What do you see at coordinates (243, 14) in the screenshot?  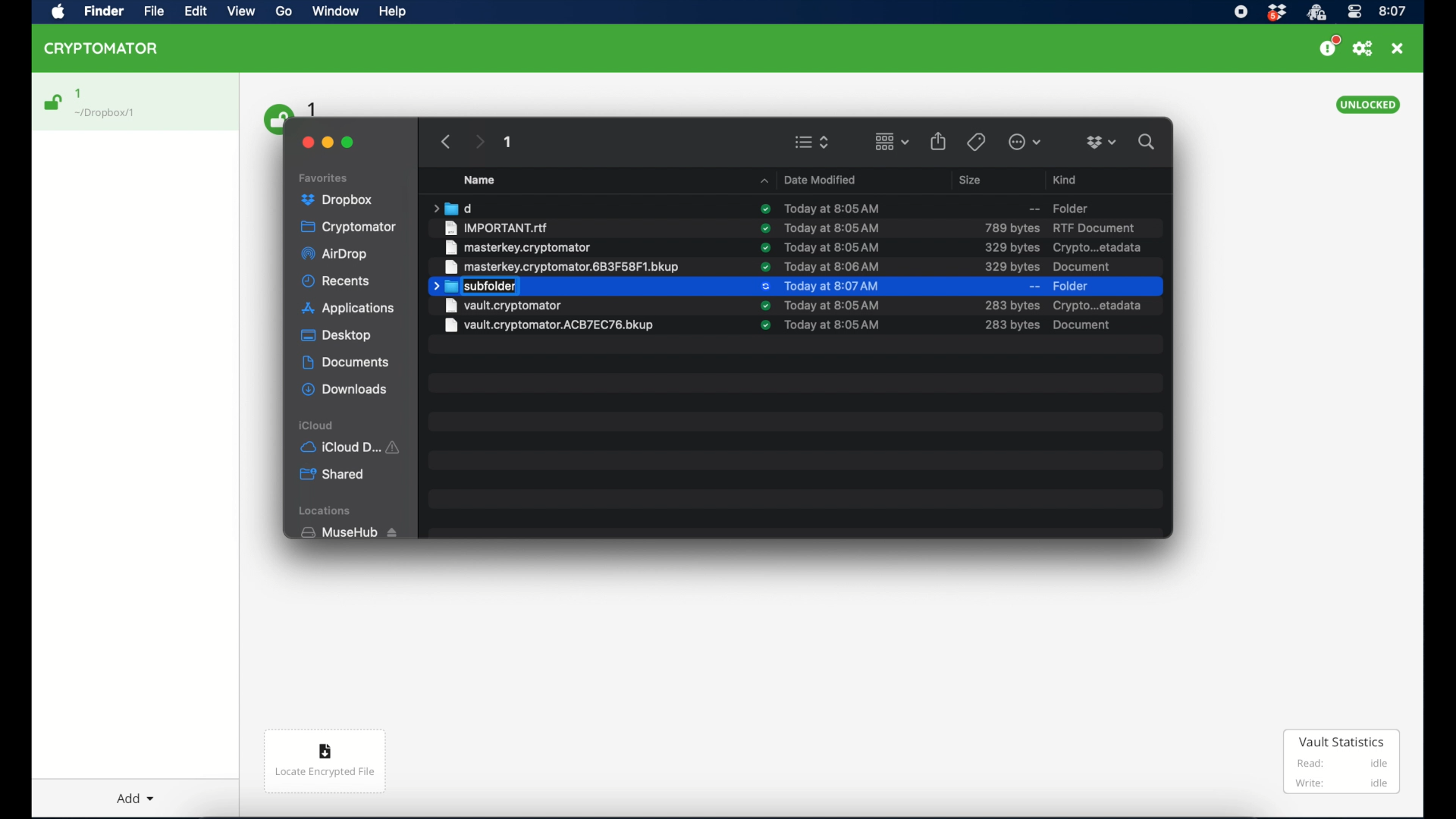 I see `View` at bounding box center [243, 14].